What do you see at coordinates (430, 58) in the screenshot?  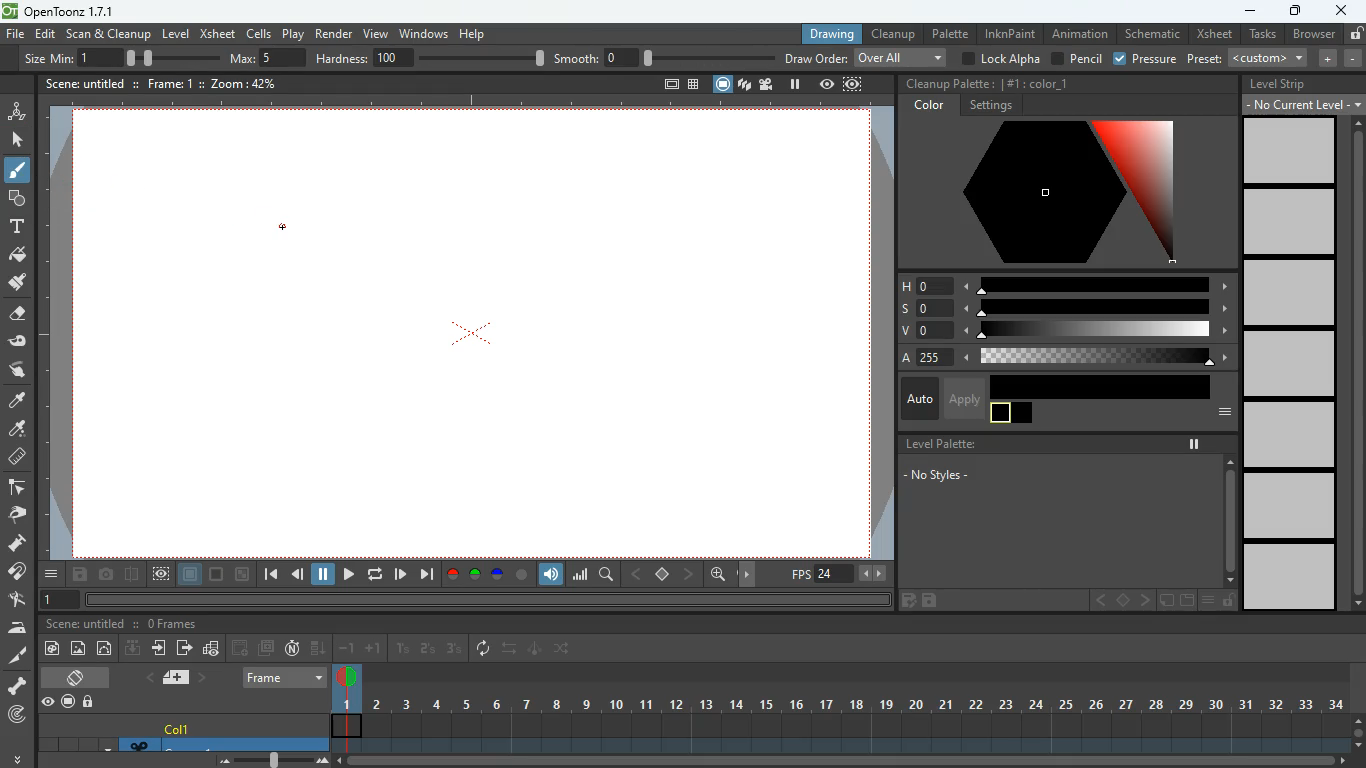 I see `hardness` at bounding box center [430, 58].